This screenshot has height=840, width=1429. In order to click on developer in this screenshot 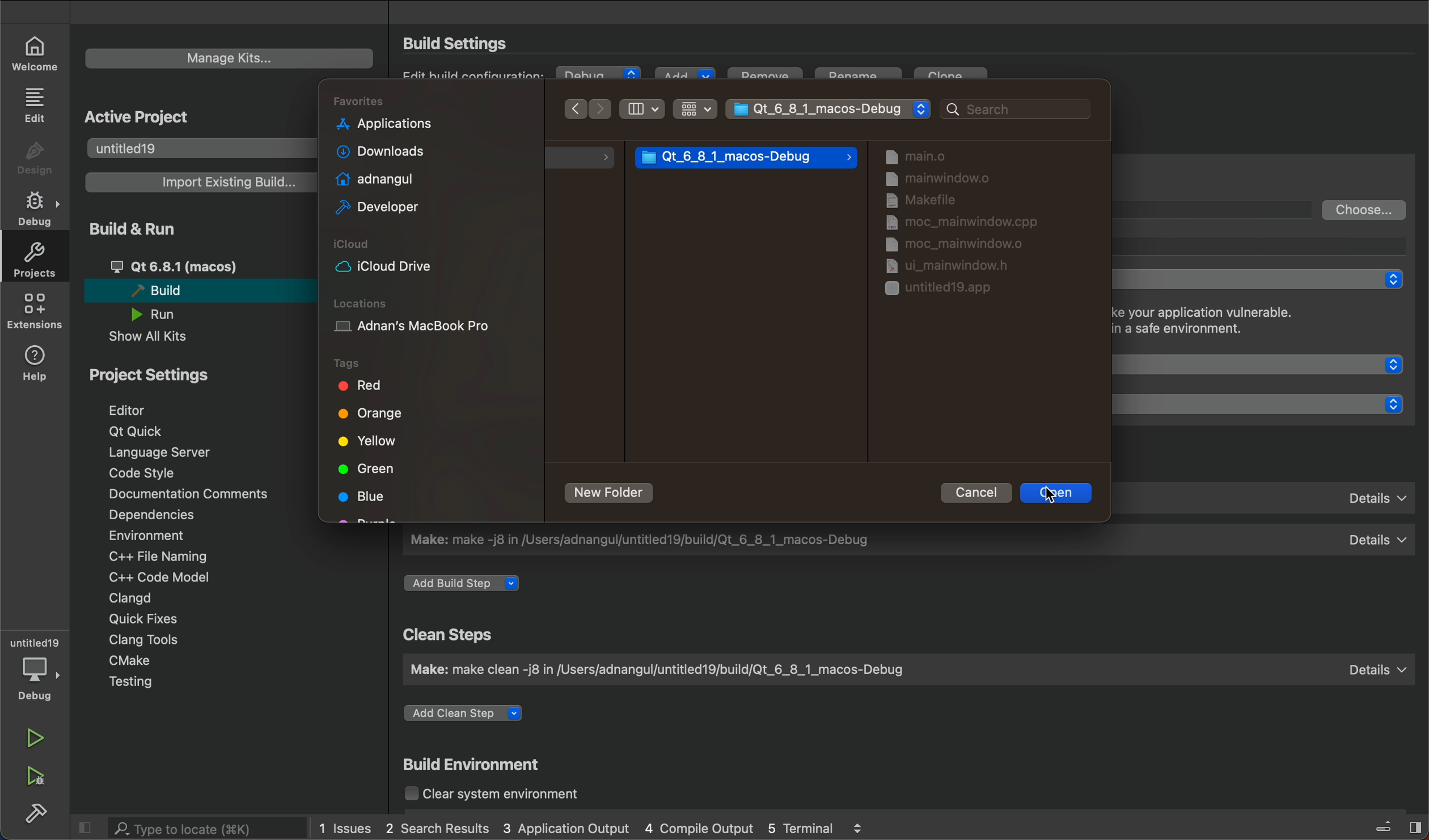, I will do `click(374, 208)`.